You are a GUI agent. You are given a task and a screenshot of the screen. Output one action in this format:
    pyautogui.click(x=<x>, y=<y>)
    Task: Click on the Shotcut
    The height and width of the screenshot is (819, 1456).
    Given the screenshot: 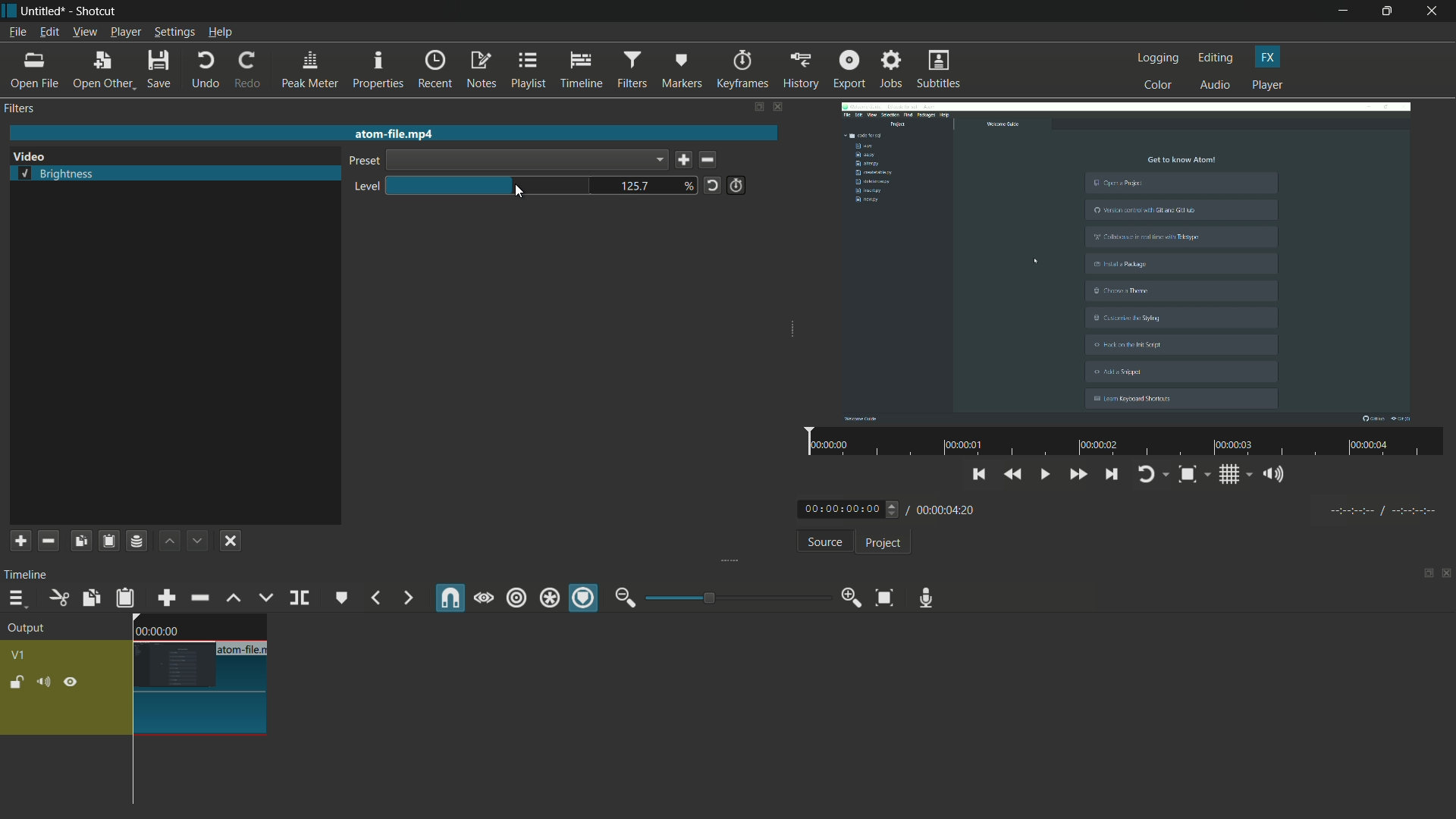 What is the action you would take?
    pyautogui.click(x=97, y=12)
    